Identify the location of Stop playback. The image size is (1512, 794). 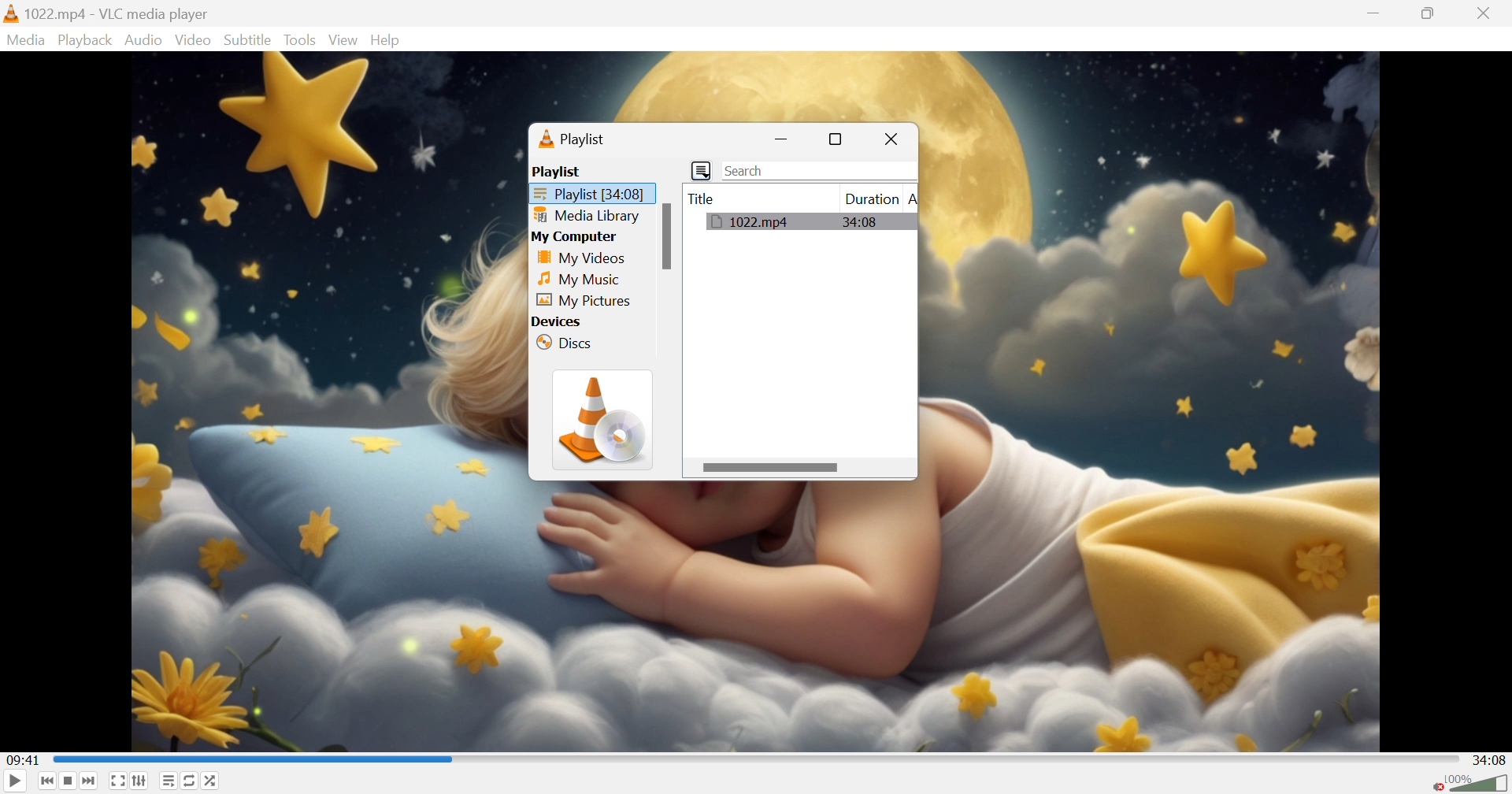
(69, 782).